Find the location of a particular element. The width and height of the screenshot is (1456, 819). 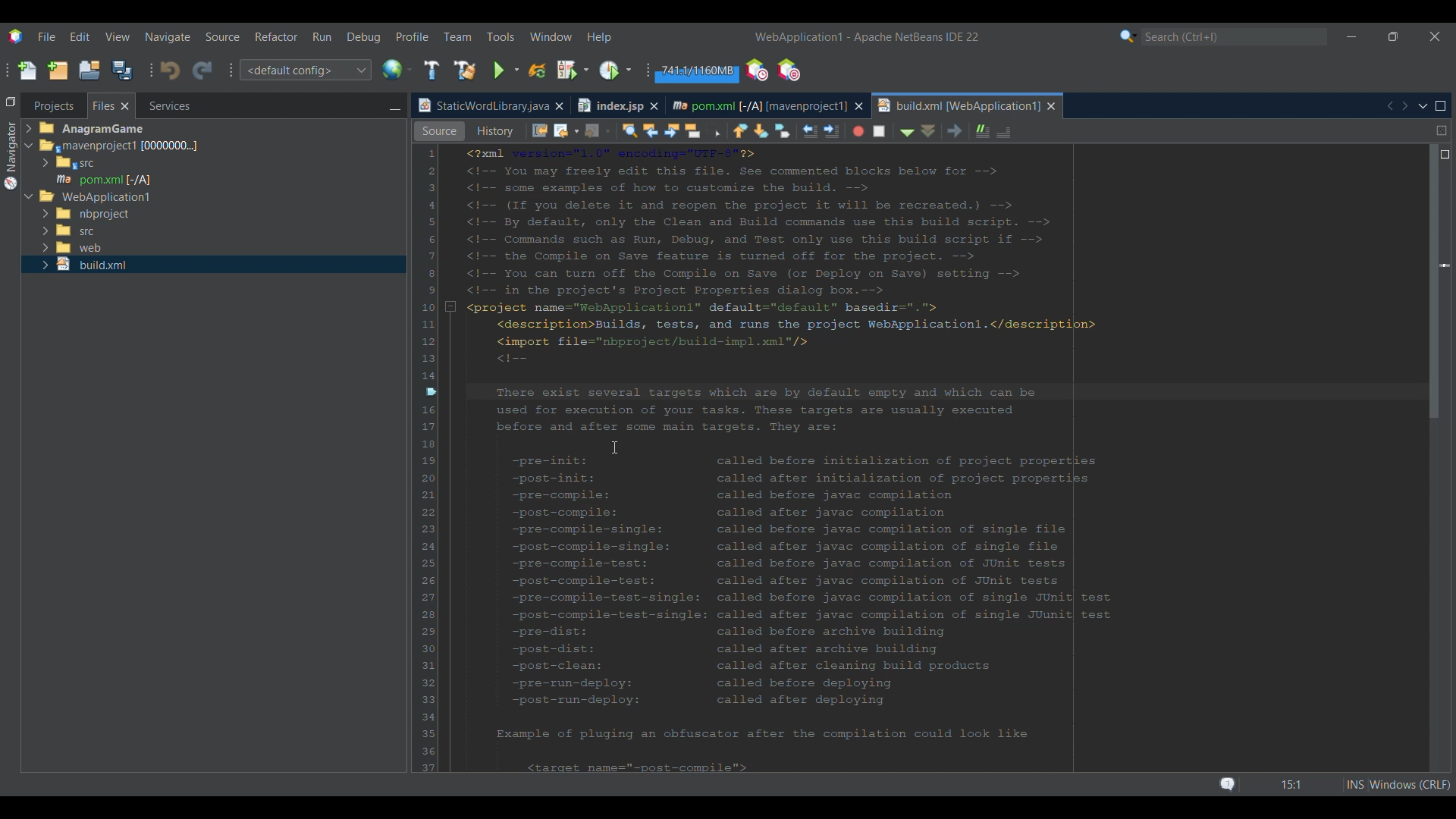

Cursor right clicking is located at coordinates (433, 403).